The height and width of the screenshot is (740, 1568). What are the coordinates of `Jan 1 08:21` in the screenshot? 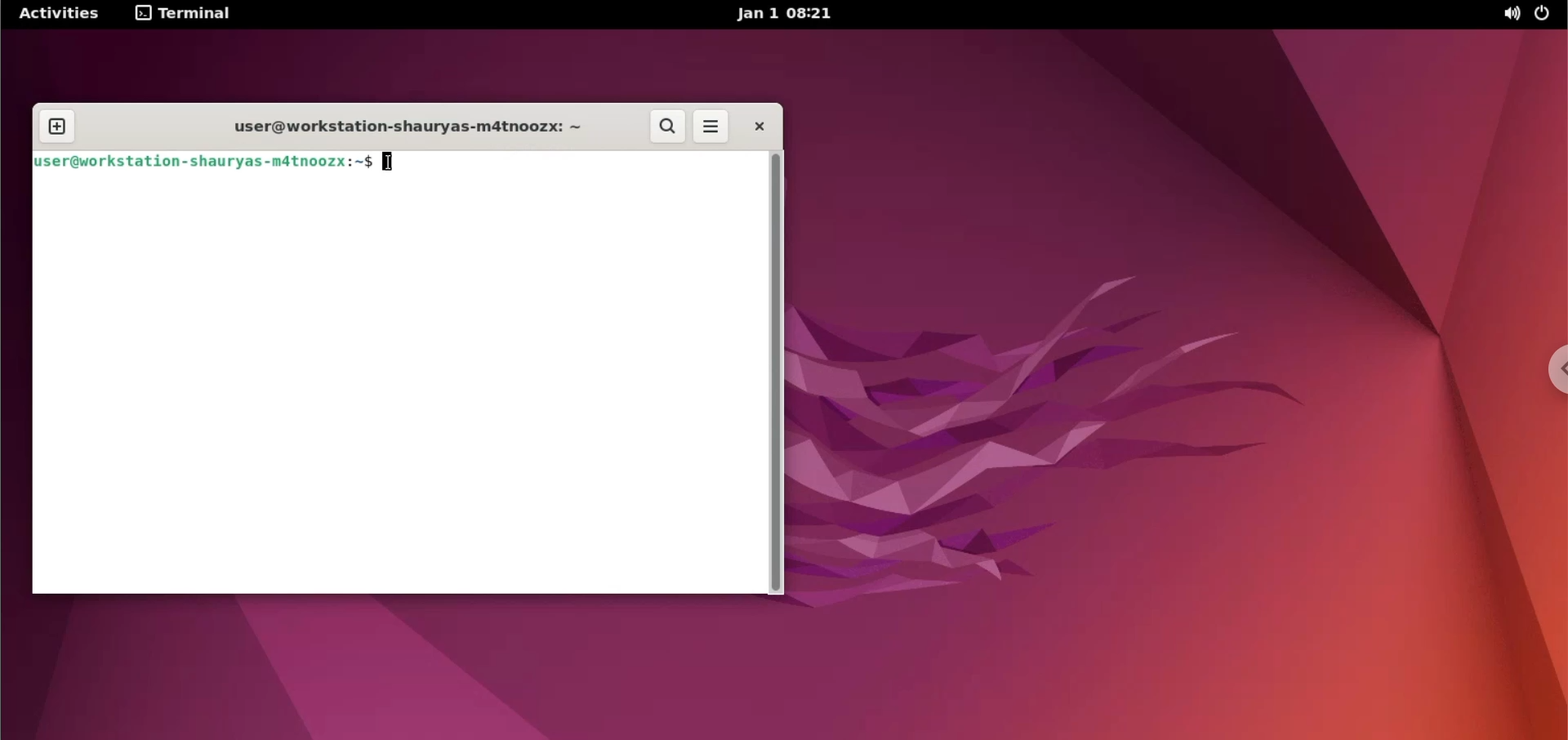 It's located at (781, 15).